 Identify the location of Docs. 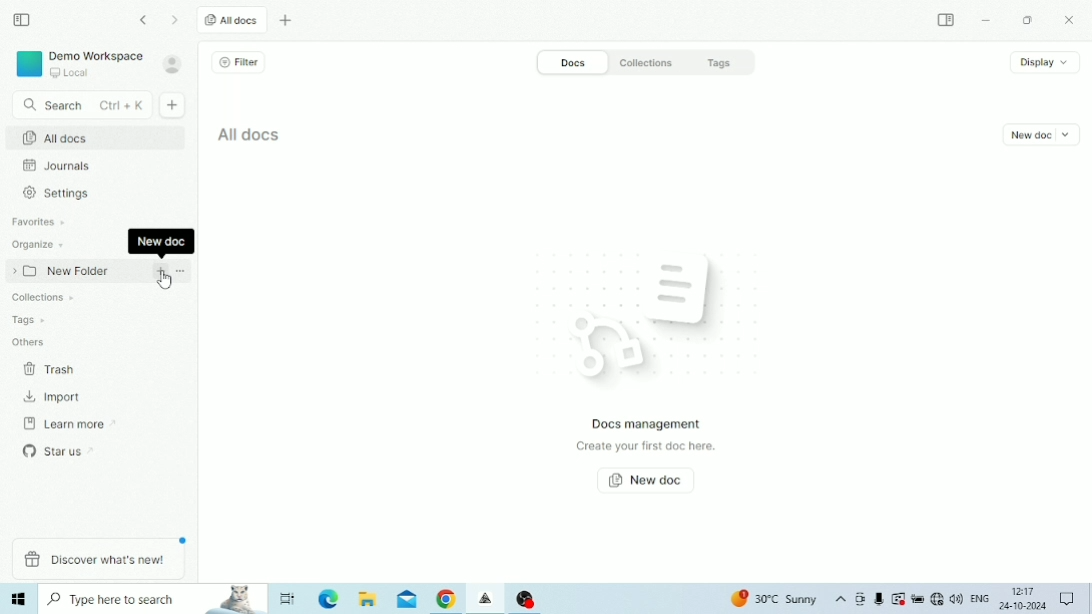
(571, 62).